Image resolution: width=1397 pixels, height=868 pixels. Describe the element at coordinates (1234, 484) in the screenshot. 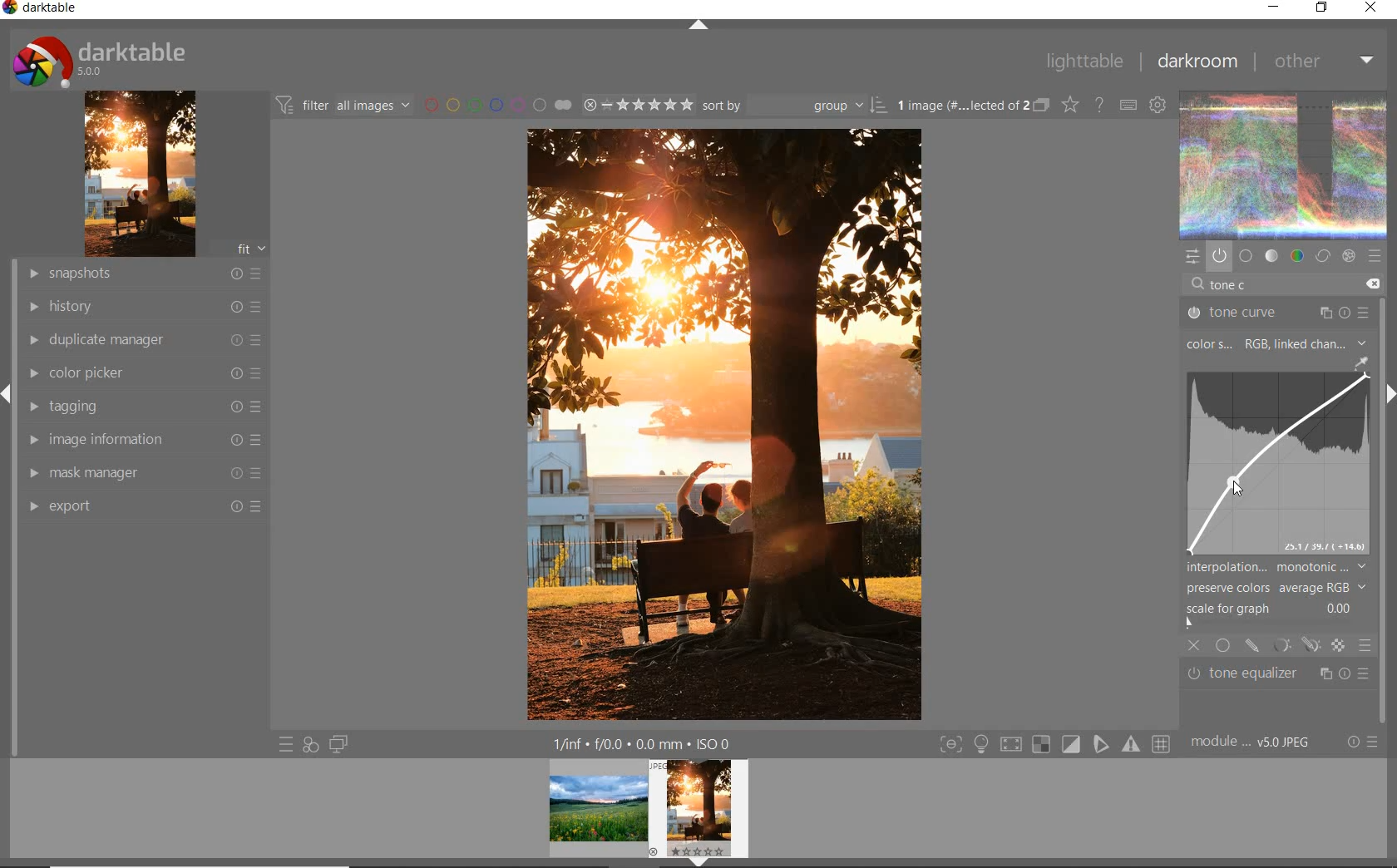

I see `cursor position` at that location.